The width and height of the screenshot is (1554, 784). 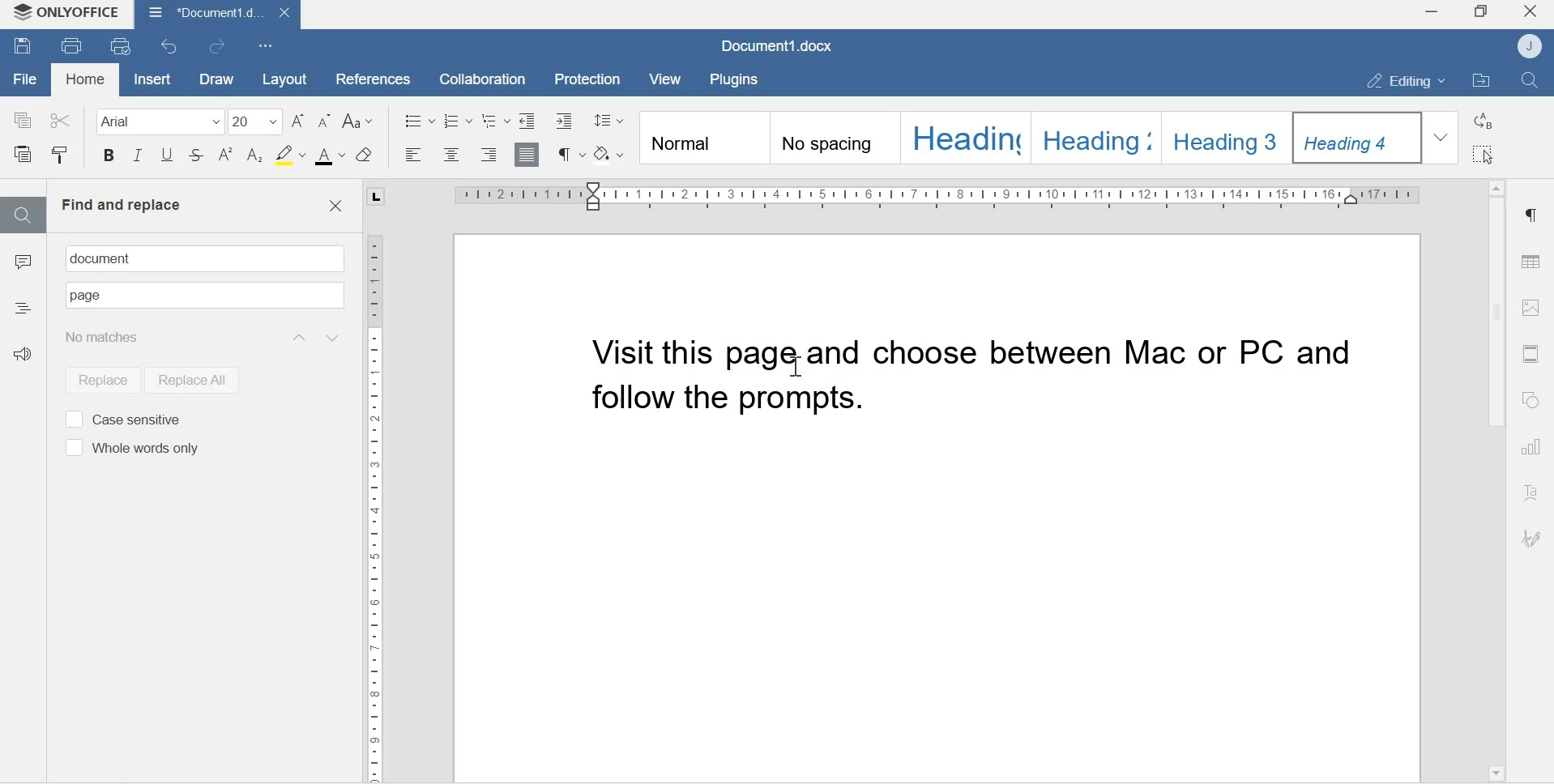 I want to click on Change case, so click(x=361, y=121).